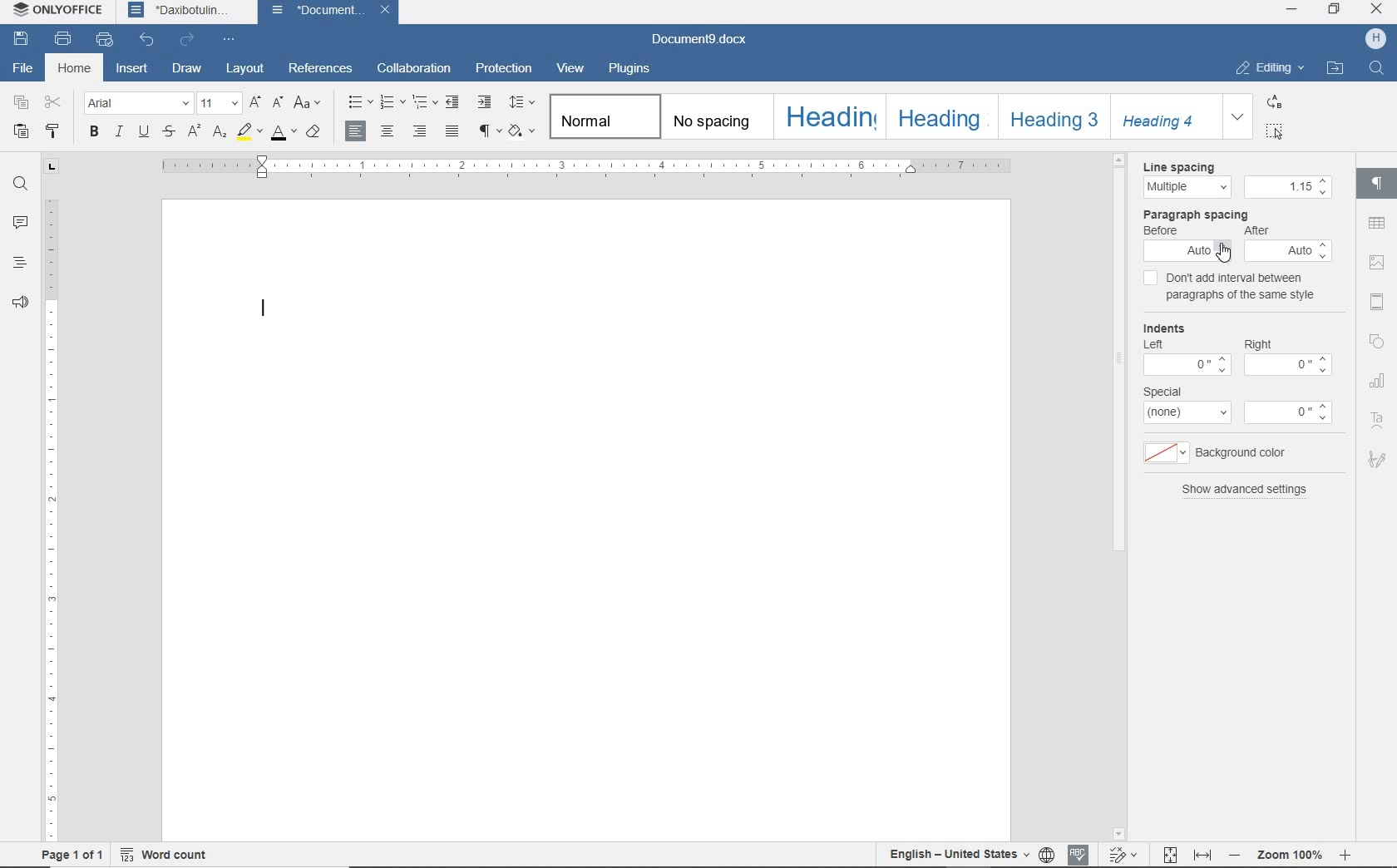 This screenshot has height=868, width=1397. Describe the element at coordinates (1276, 131) in the screenshot. I see `SELECT ALL` at that location.